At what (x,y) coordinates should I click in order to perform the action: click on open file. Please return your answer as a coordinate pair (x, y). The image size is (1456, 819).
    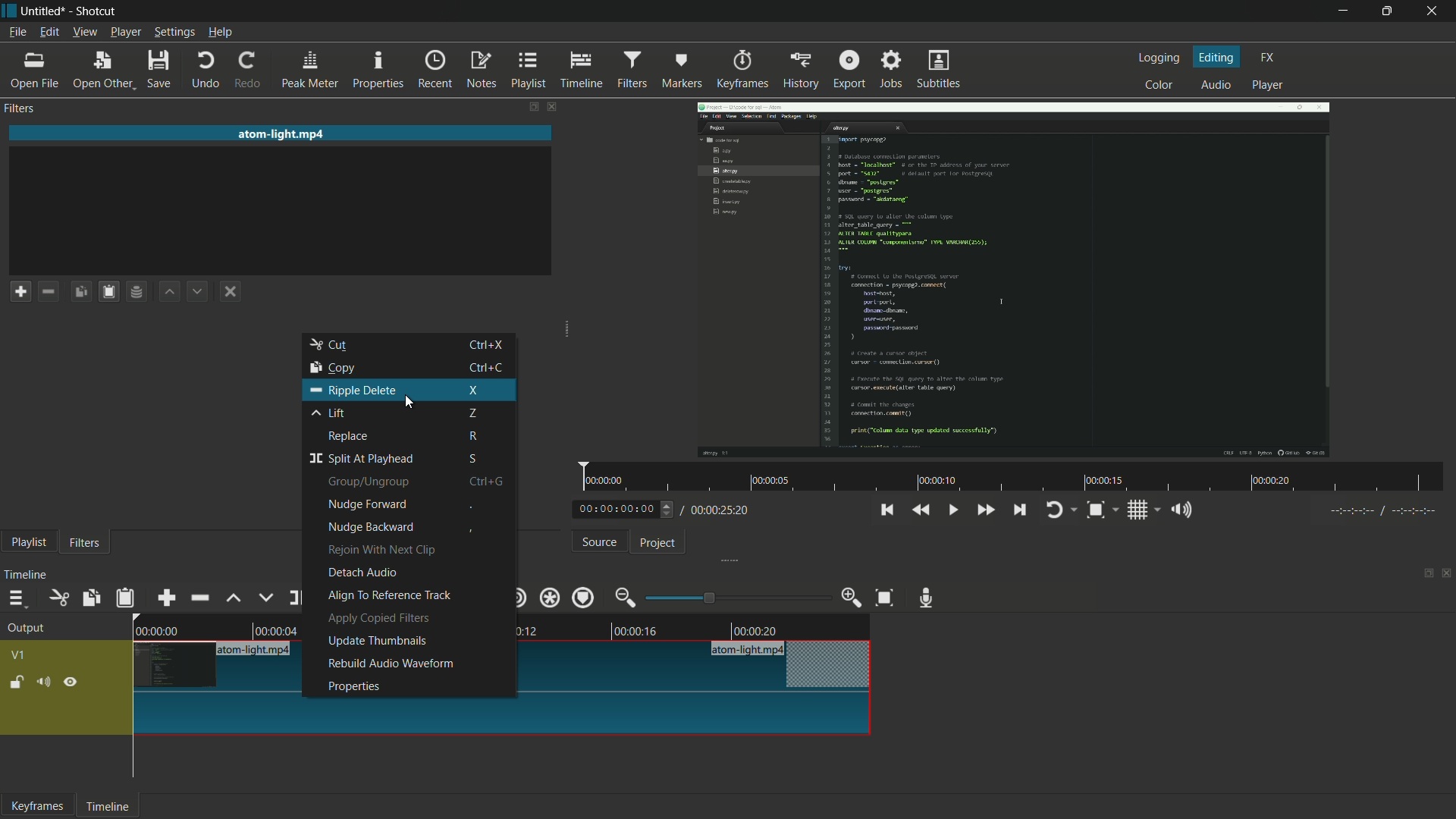
    Looking at the image, I should click on (34, 70).